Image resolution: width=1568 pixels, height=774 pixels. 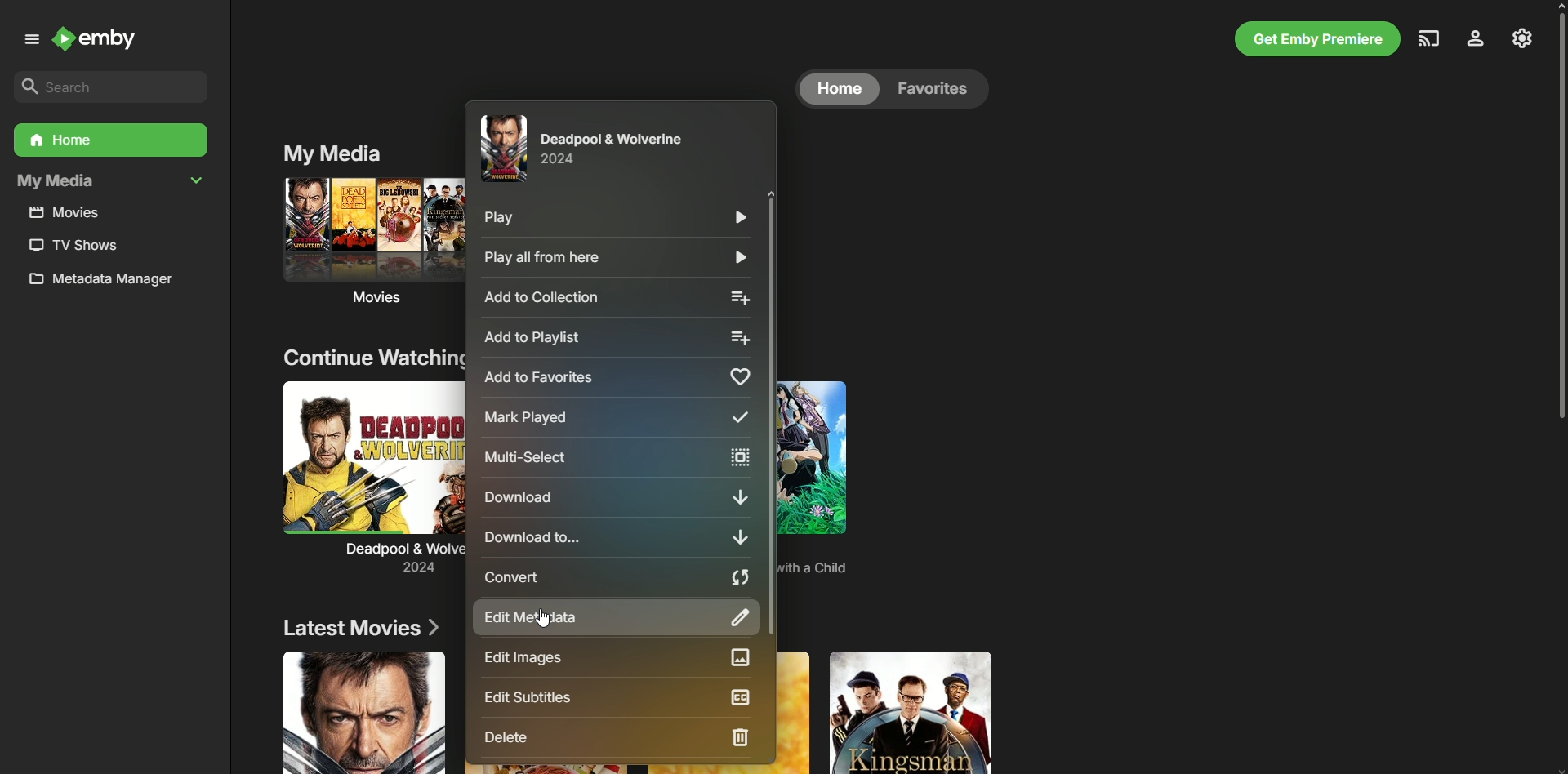 I want to click on Mark played, so click(x=622, y=416).